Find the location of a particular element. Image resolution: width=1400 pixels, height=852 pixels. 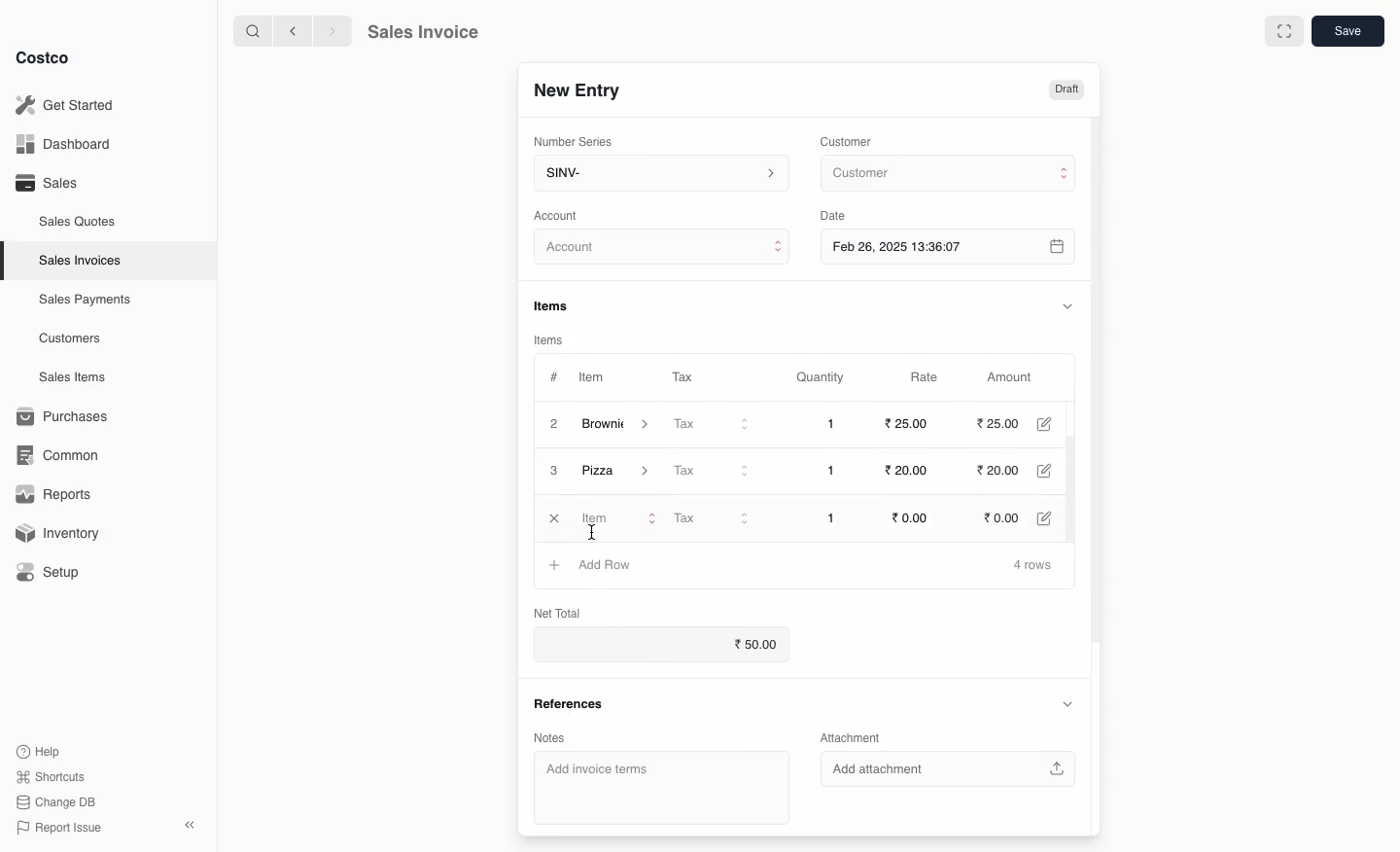

Attachment is located at coordinates (852, 739).